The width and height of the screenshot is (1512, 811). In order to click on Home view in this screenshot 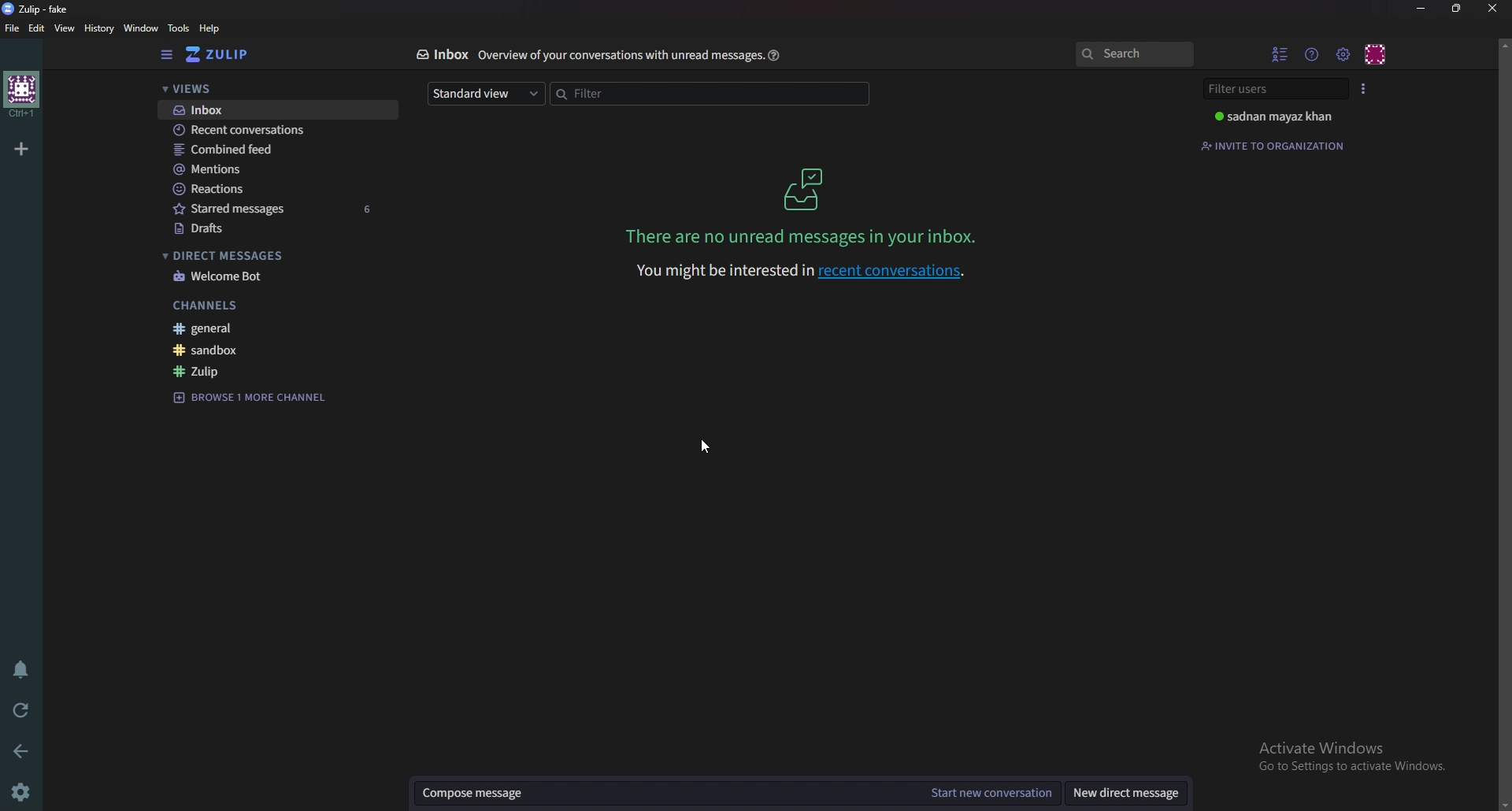, I will do `click(226, 55)`.